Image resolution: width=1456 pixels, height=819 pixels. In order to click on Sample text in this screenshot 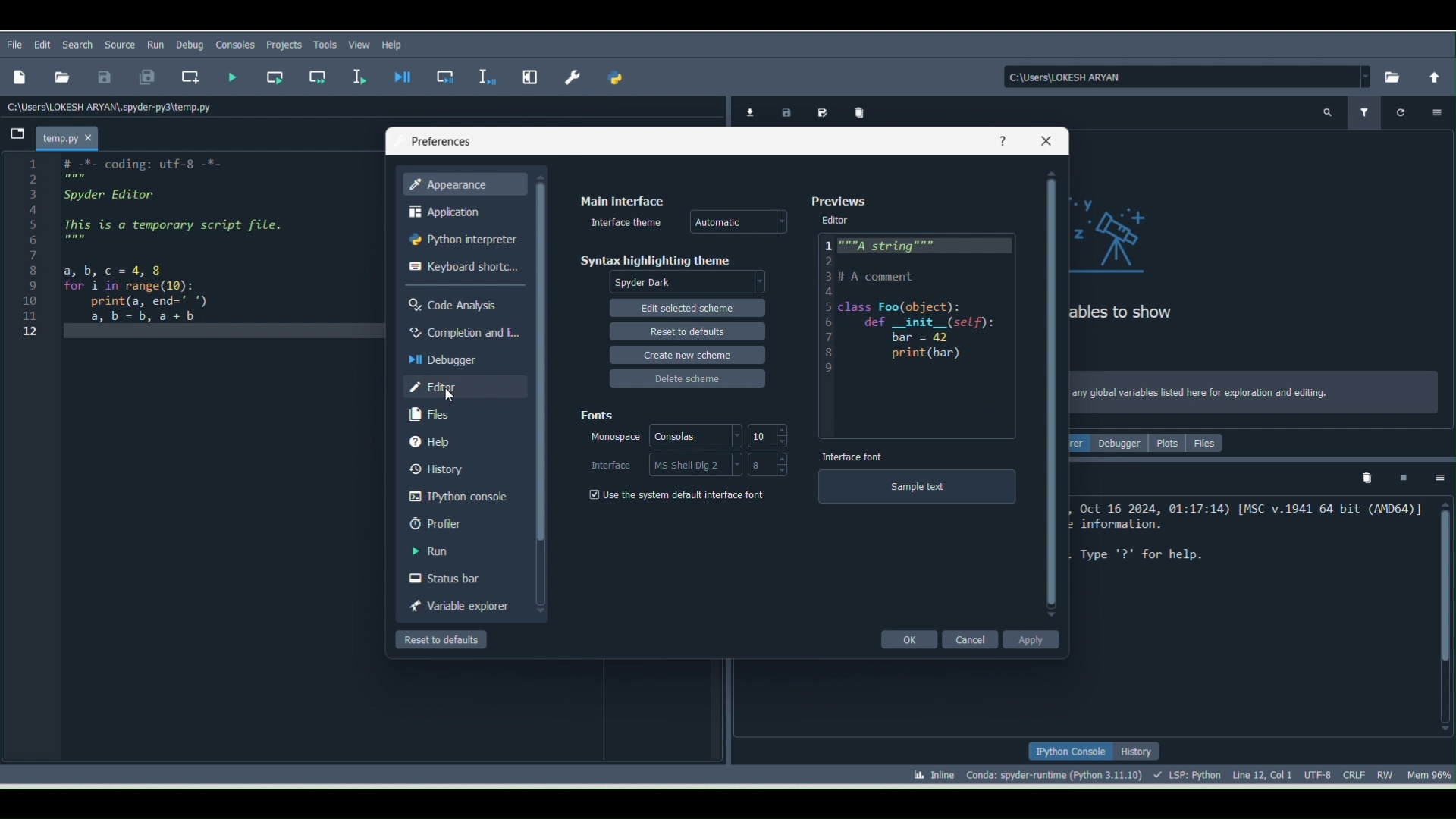, I will do `click(915, 493)`.